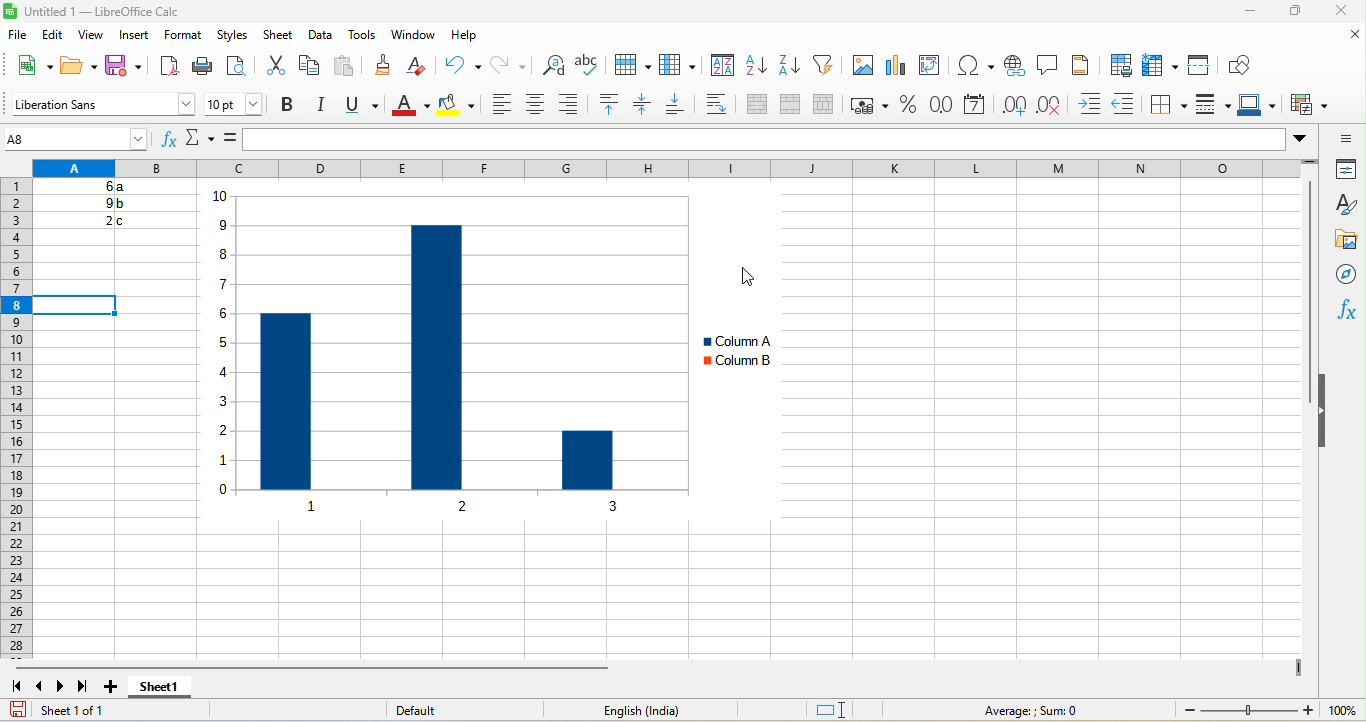 This screenshot has width=1366, height=722. I want to click on cursor, so click(753, 278).